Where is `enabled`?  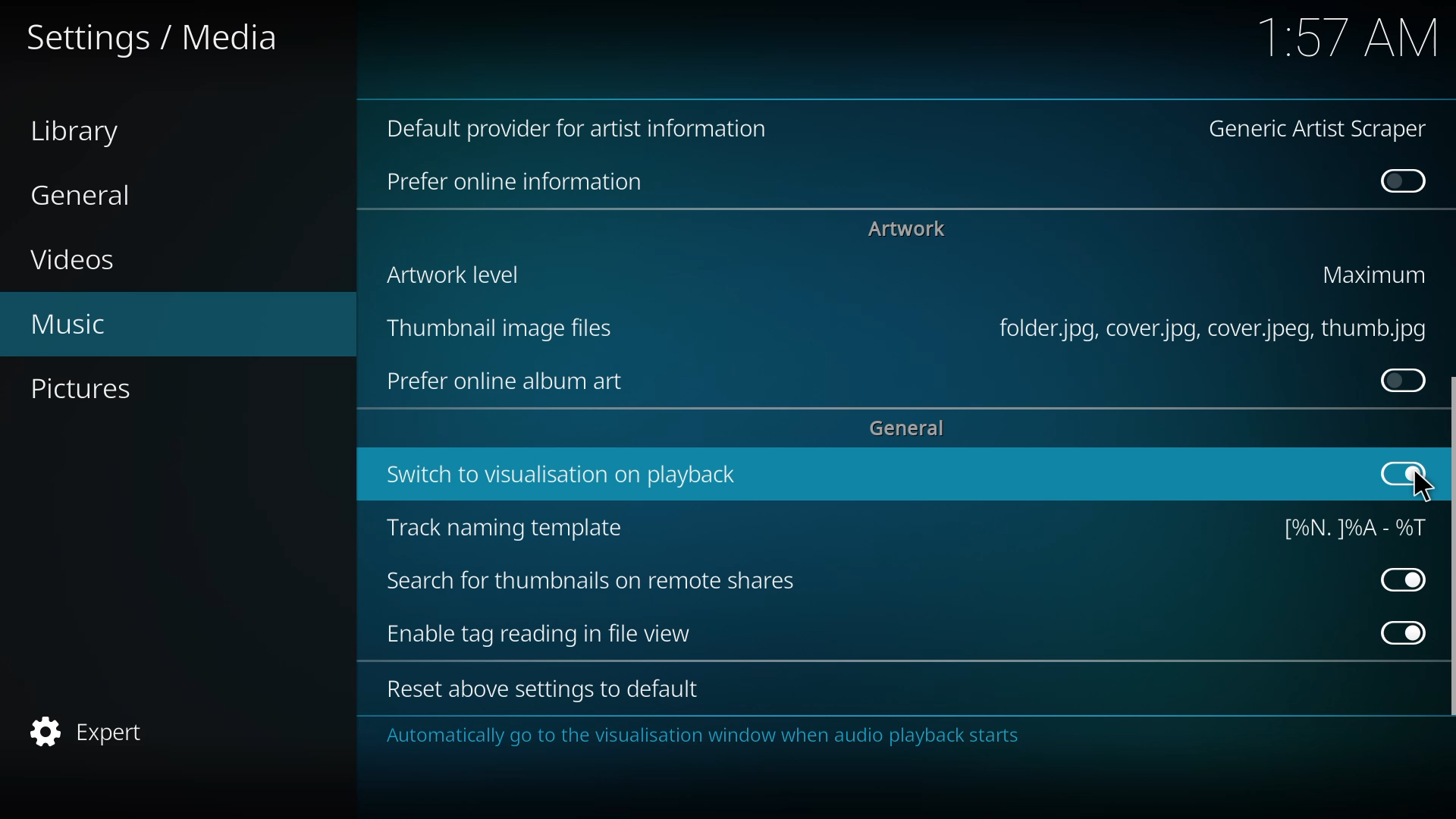 enabled is located at coordinates (1401, 579).